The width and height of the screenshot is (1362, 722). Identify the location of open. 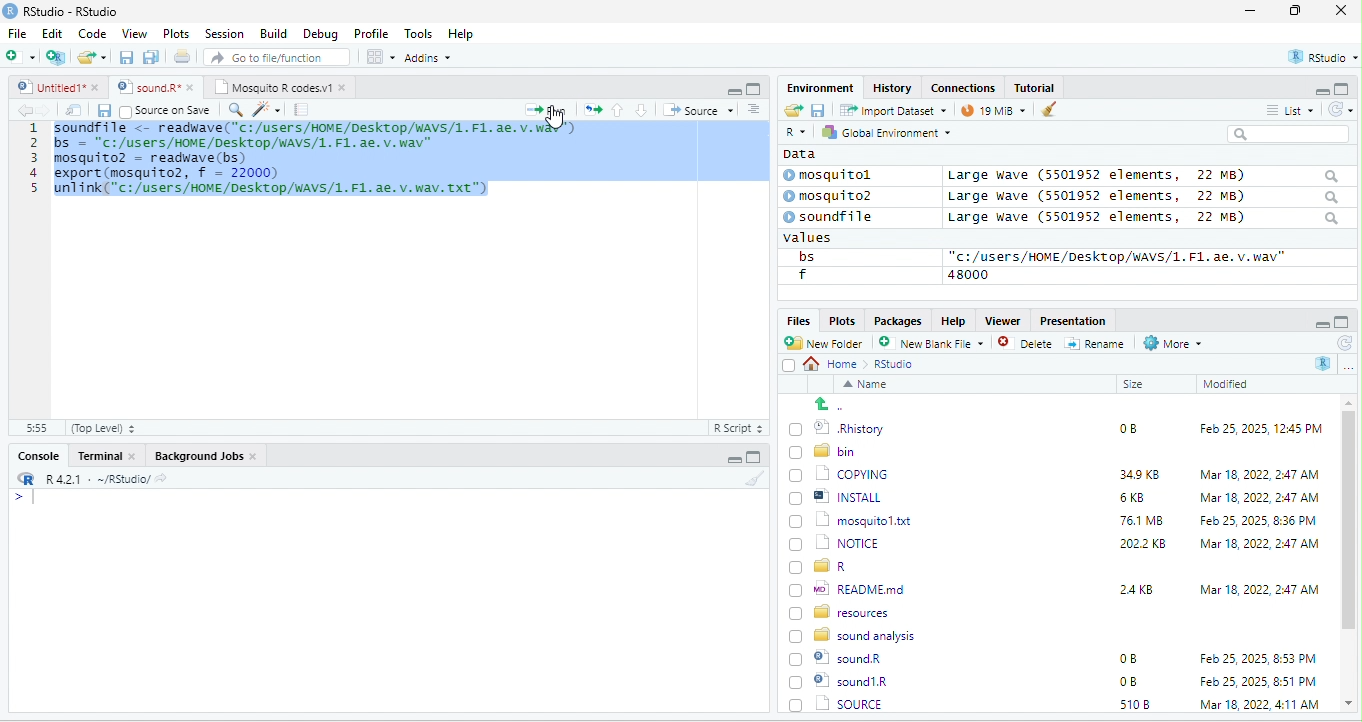
(792, 111).